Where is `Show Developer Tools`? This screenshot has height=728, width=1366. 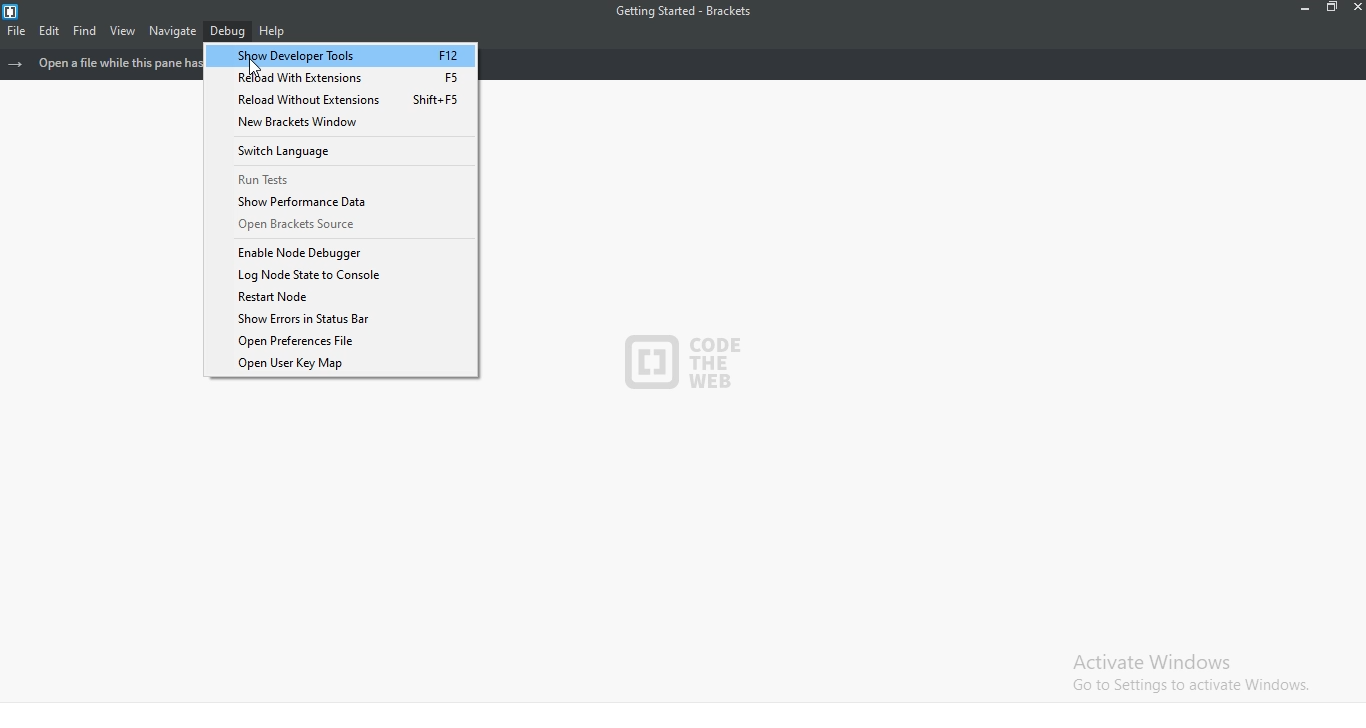
Show Developer Tools is located at coordinates (342, 52).